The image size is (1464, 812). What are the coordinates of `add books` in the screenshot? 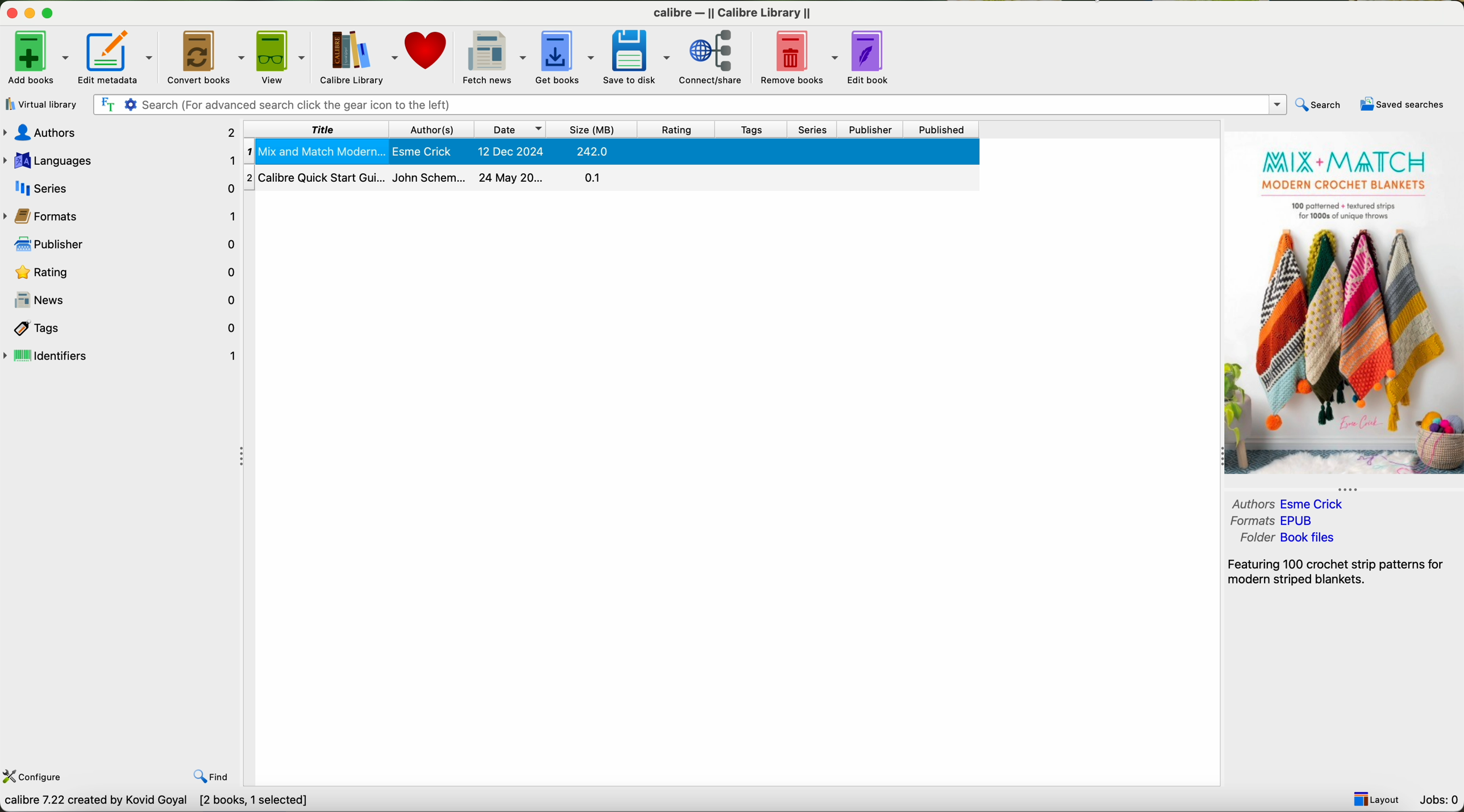 It's located at (36, 56).